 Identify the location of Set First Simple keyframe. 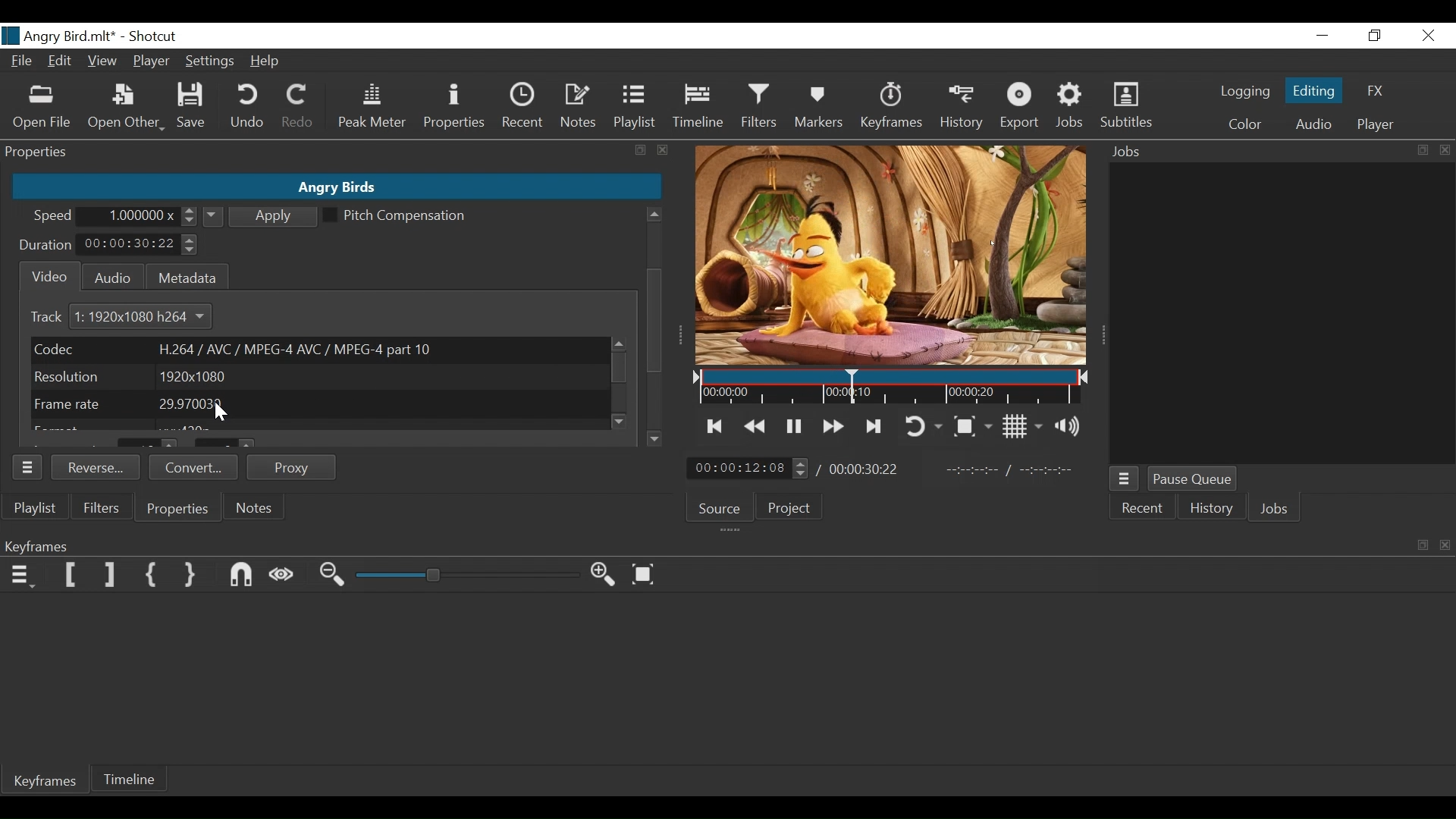
(152, 576).